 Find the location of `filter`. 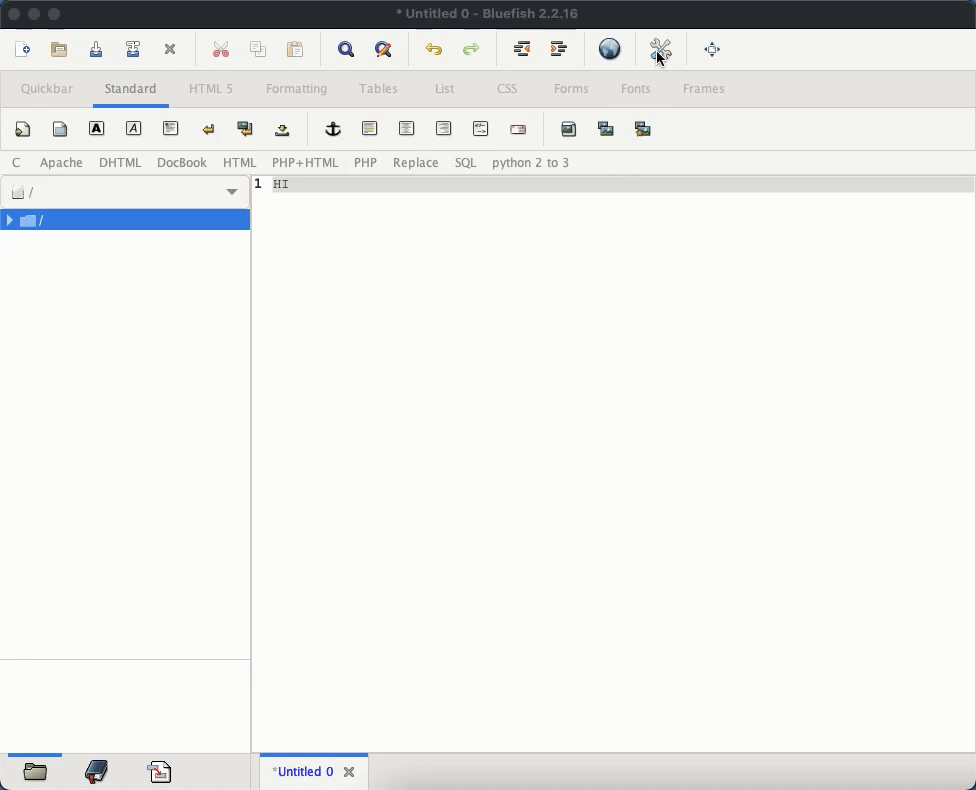

filter is located at coordinates (126, 189).